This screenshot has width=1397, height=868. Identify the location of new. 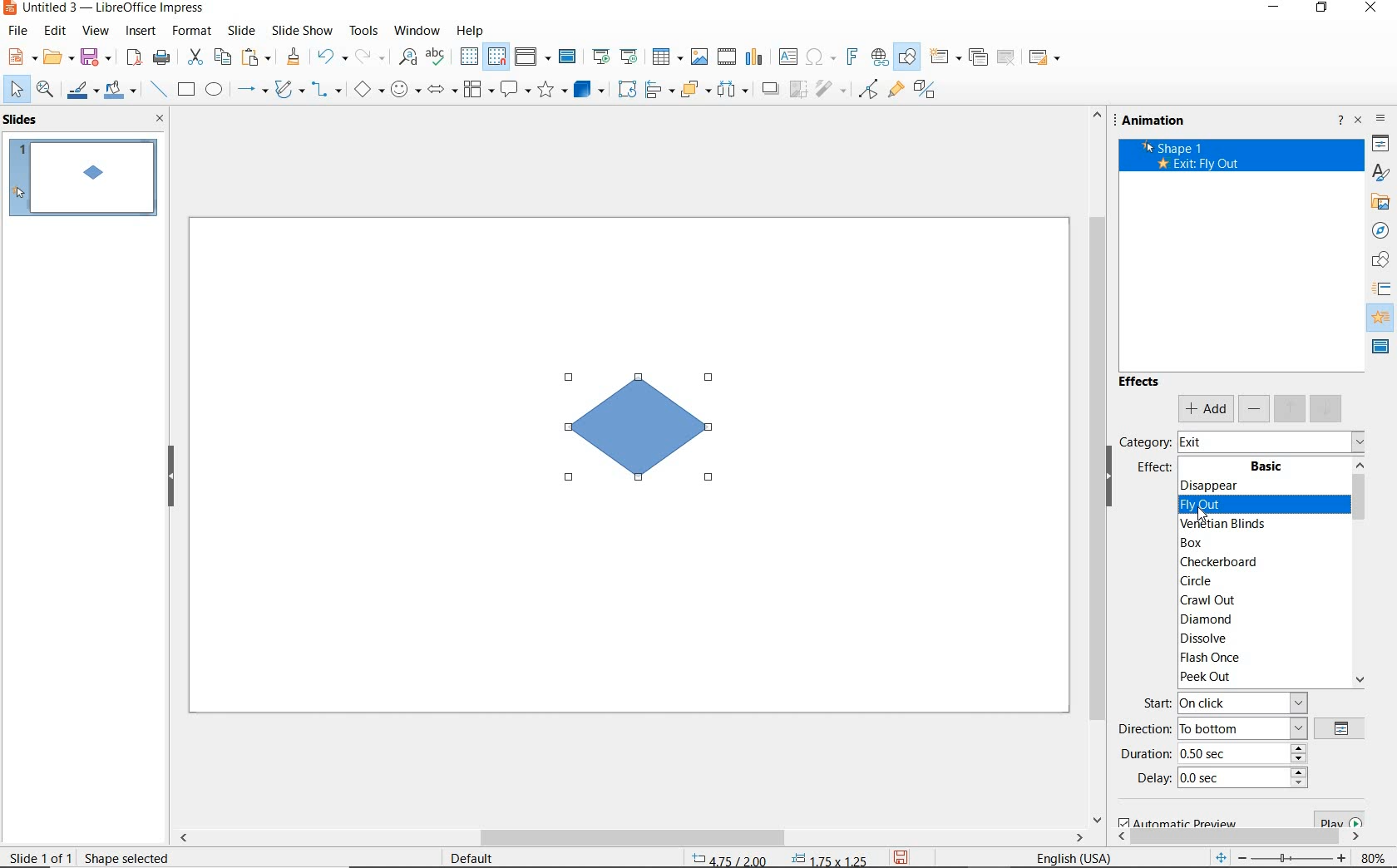
(21, 56).